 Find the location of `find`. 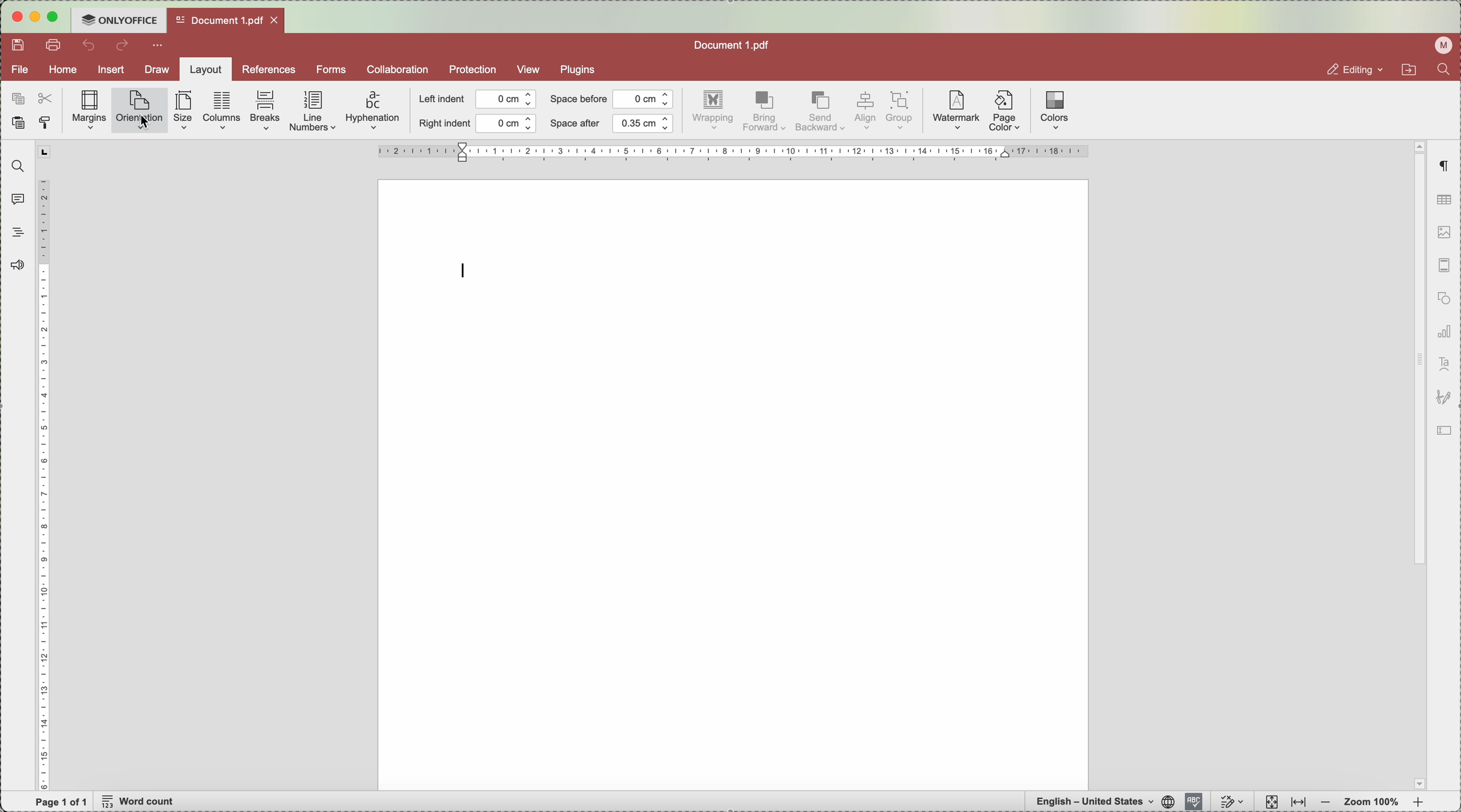

find is located at coordinates (15, 166).